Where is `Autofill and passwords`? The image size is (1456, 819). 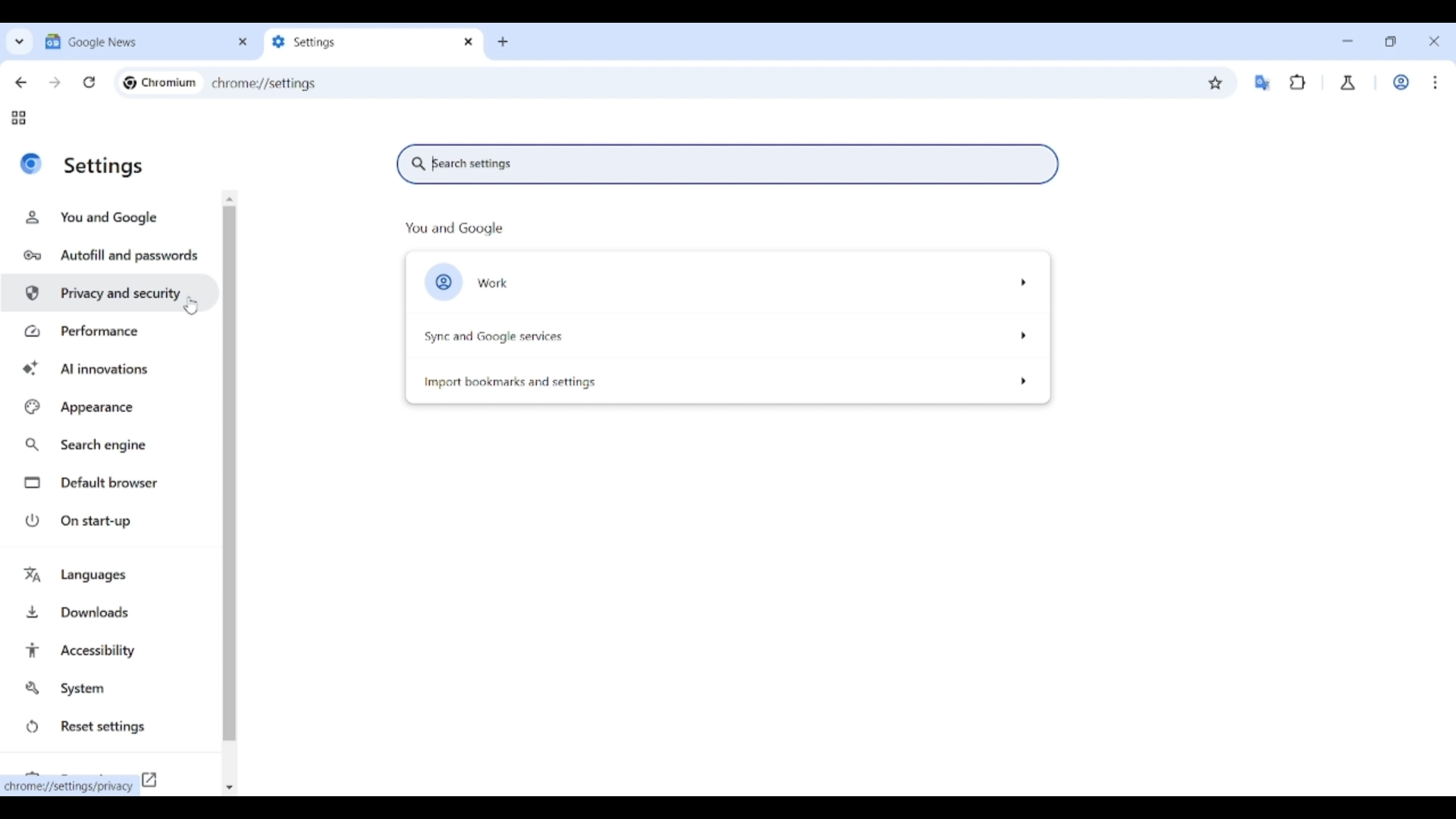
Autofill and passwords is located at coordinates (112, 256).